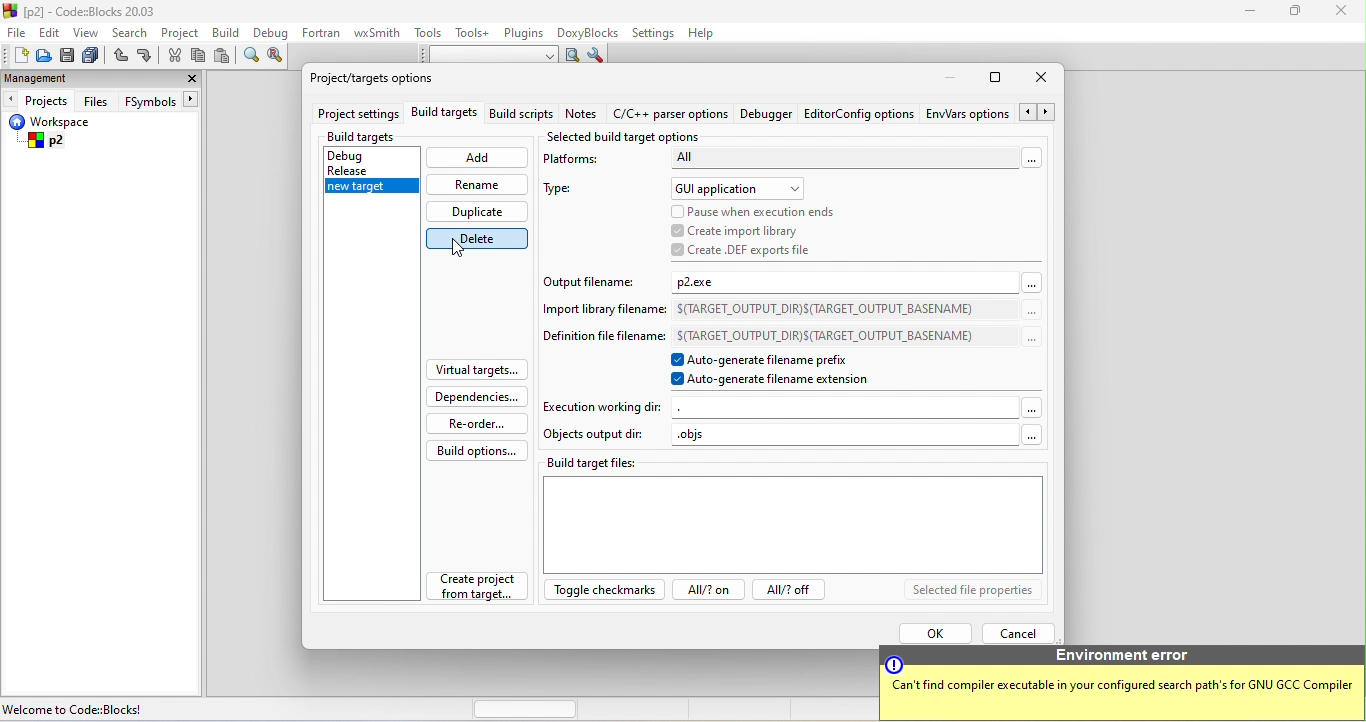  What do you see at coordinates (705, 592) in the screenshot?
I see `all?on` at bounding box center [705, 592].